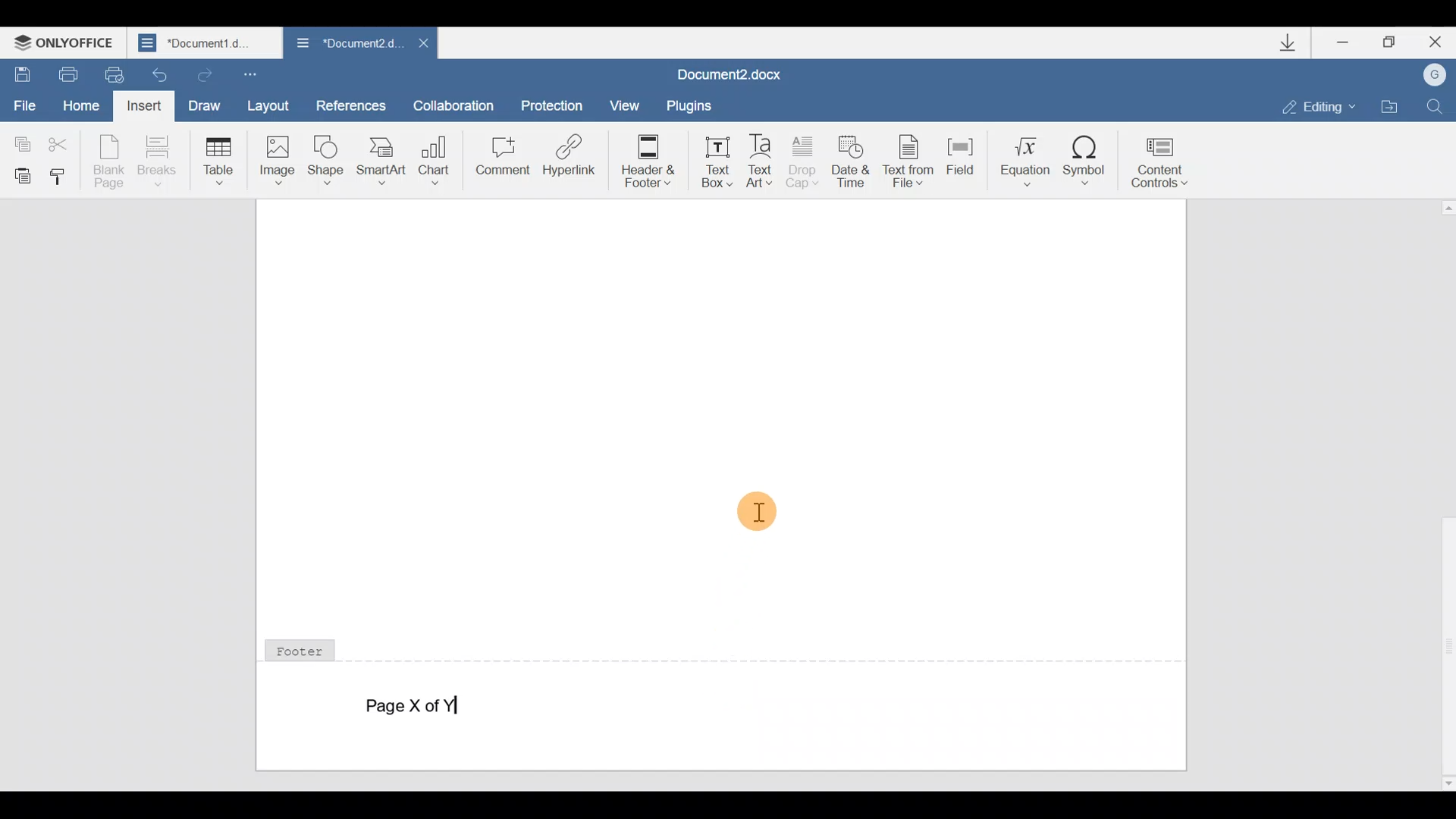  I want to click on Document2.d.., so click(342, 44).